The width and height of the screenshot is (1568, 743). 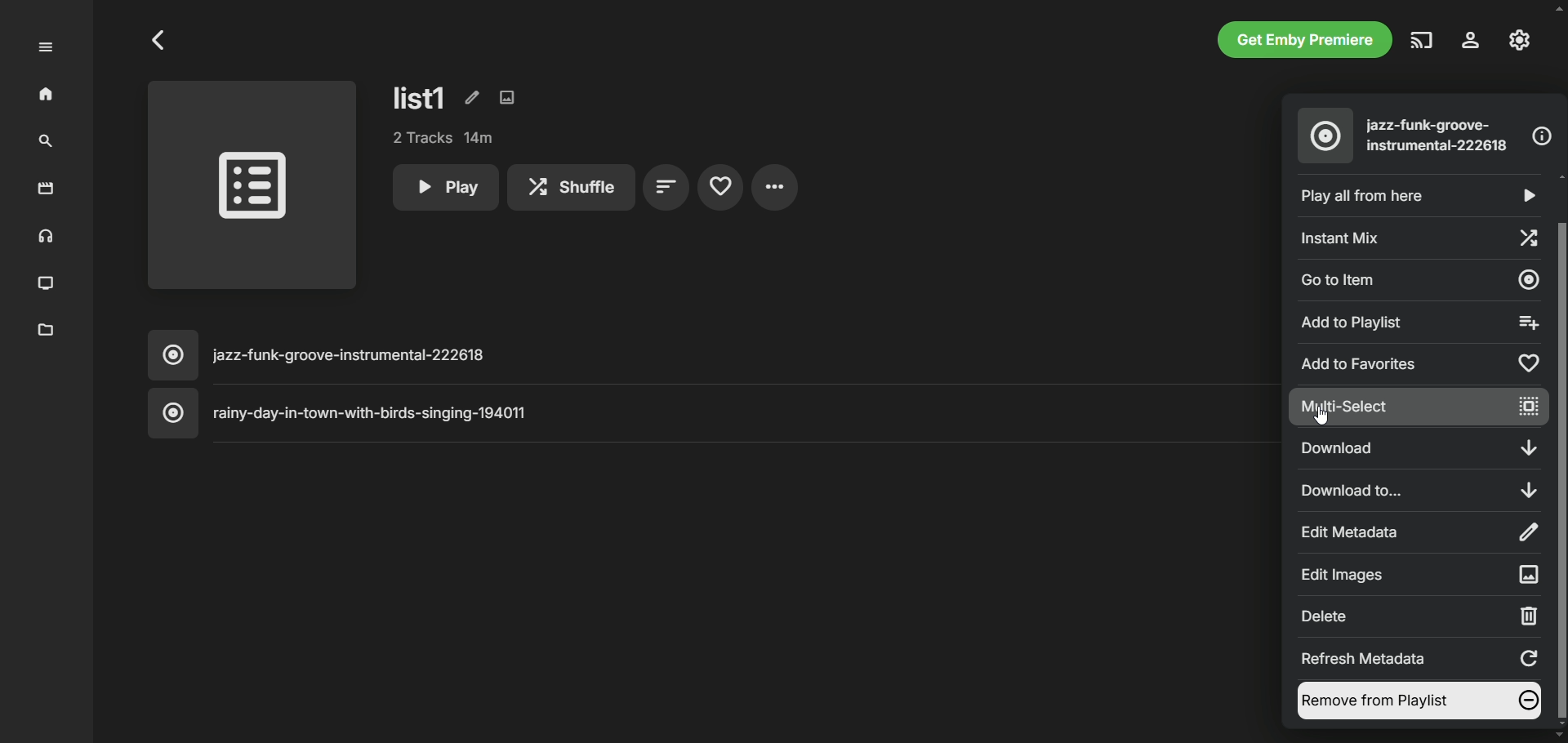 What do you see at coordinates (1325, 136) in the screenshot?
I see `music album` at bounding box center [1325, 136].